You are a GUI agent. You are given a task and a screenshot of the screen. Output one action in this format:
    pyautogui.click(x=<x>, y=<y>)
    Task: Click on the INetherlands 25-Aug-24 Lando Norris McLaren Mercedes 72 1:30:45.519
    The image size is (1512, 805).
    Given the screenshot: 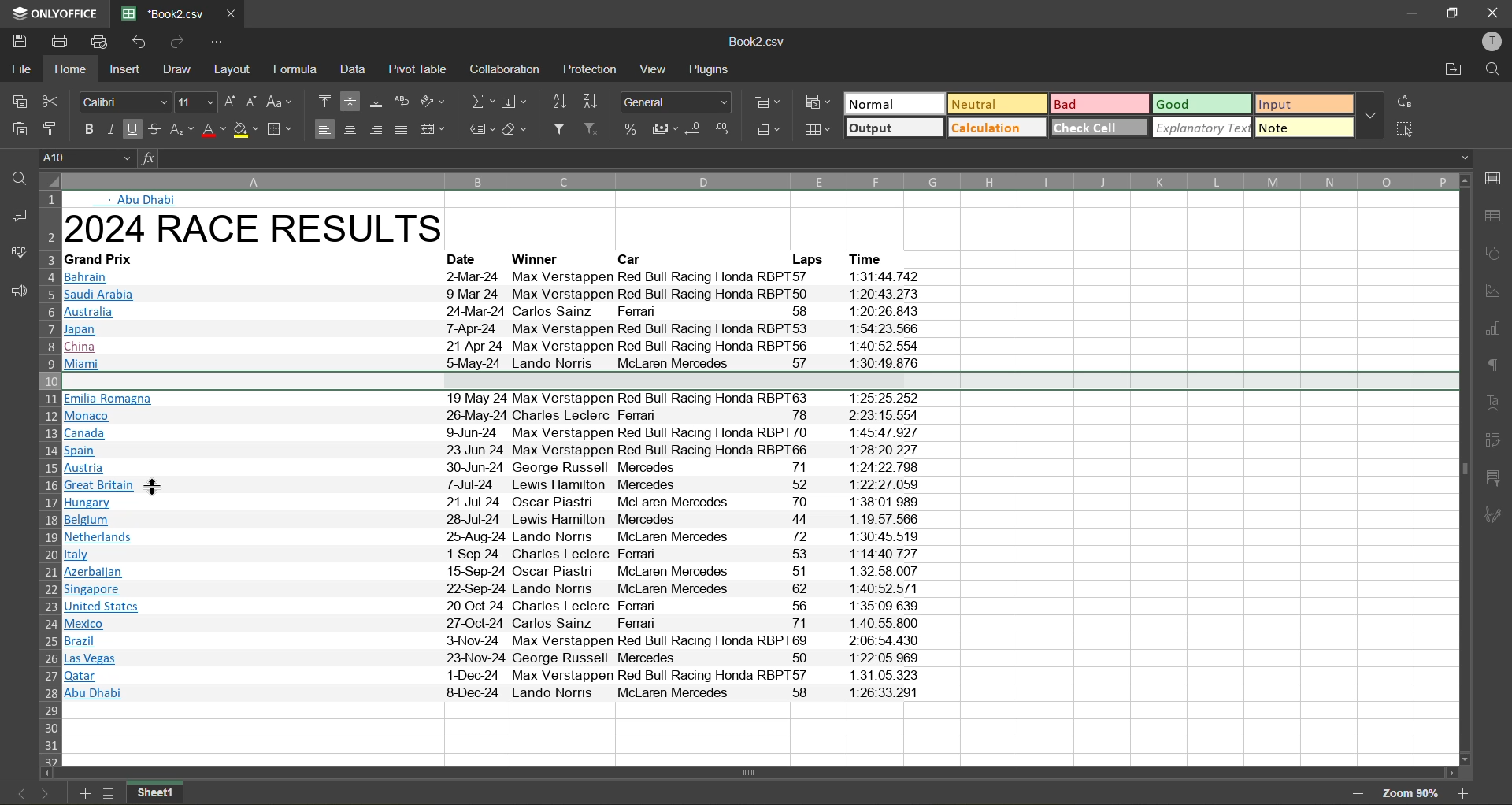 What is the action you would take?
    pyautogui.click(x=495, y=540)
    